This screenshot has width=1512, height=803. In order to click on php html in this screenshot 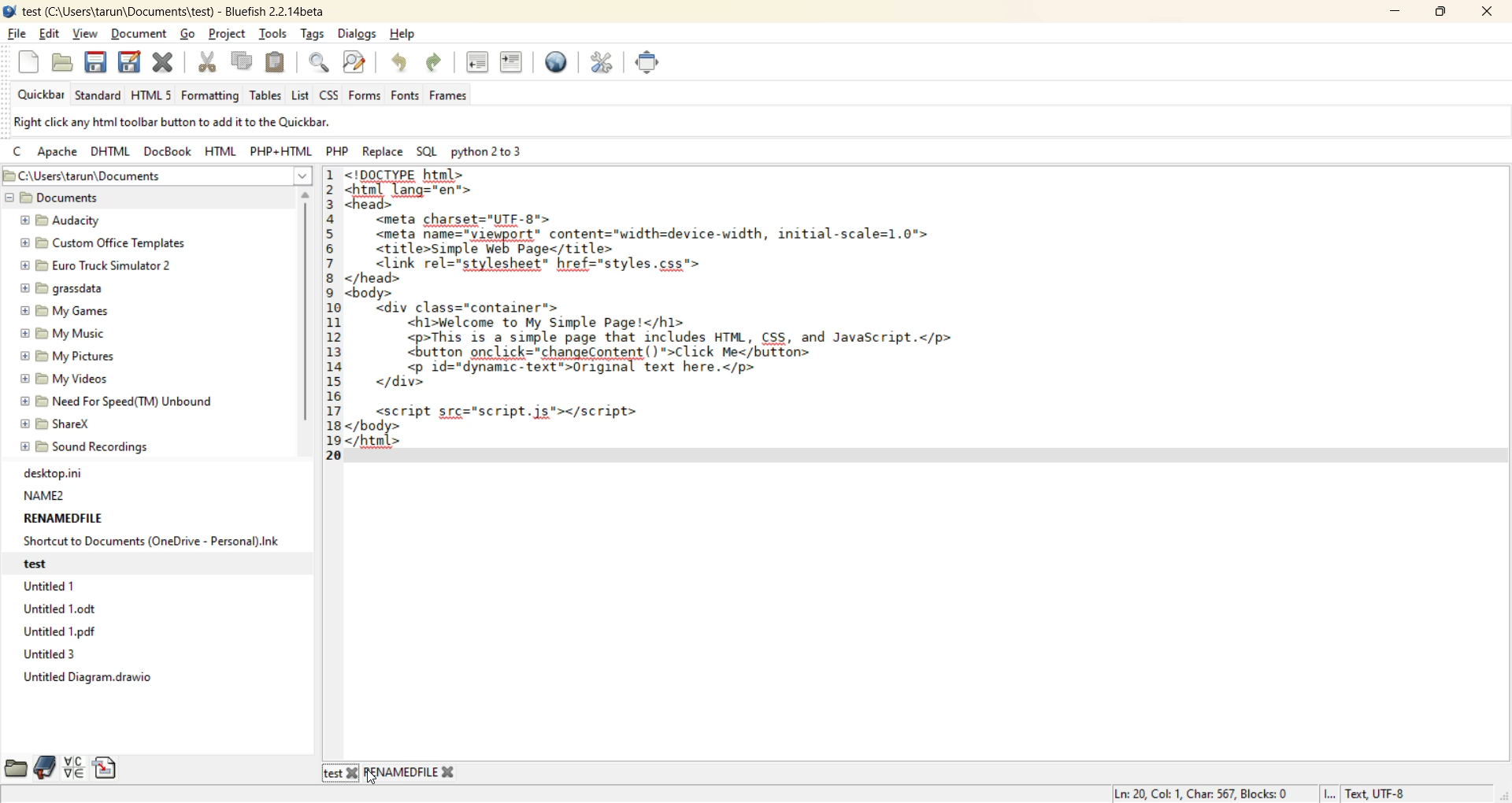, I will do `click(283, 152)`.